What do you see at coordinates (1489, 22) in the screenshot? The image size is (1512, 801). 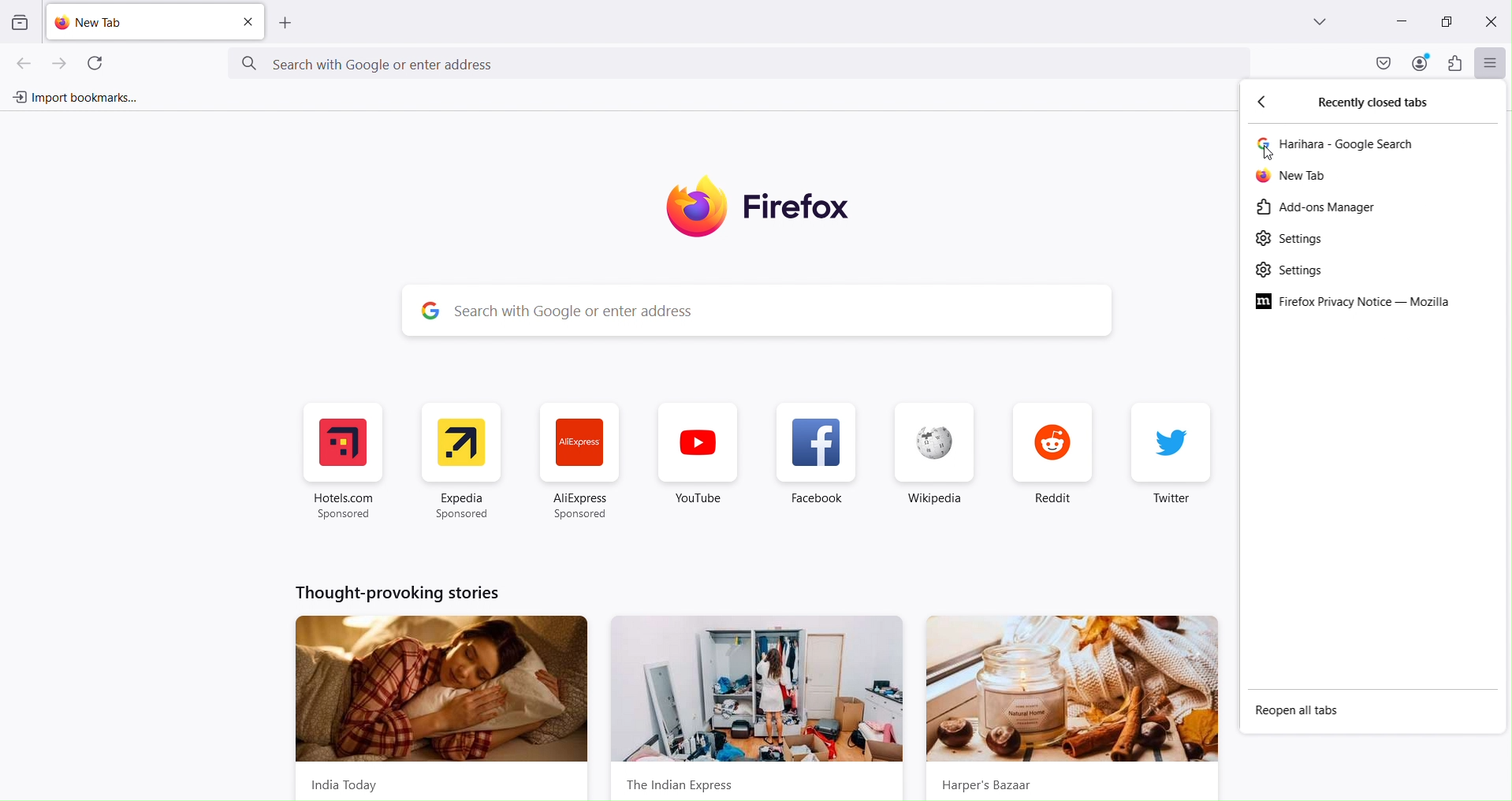 I see `Close` at bounding box center [1489, 22].